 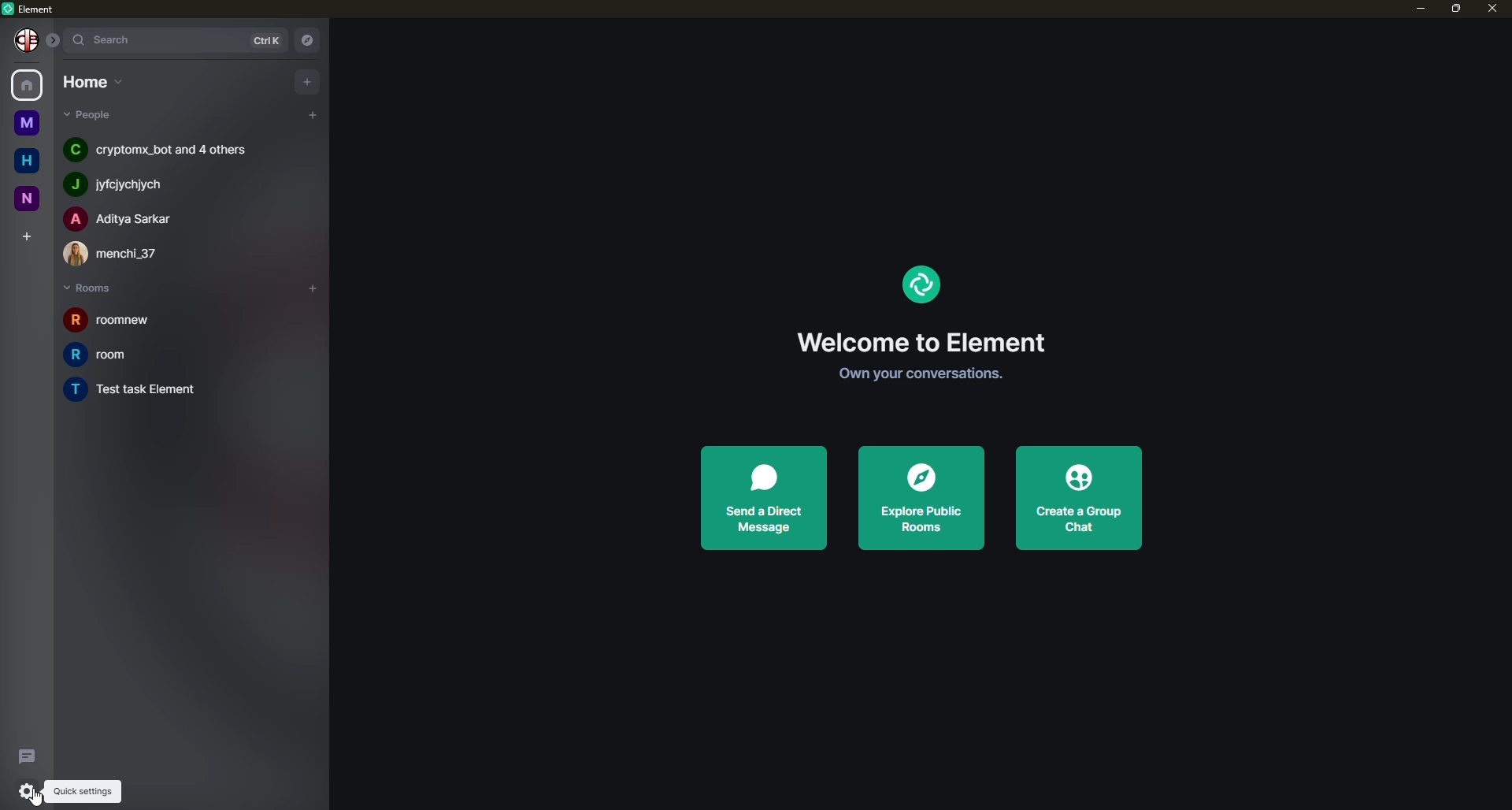 What do you see at coordinates (1074, 497) in the screenshot?
I see `create a group chat` at bounding box center [1074, 497].